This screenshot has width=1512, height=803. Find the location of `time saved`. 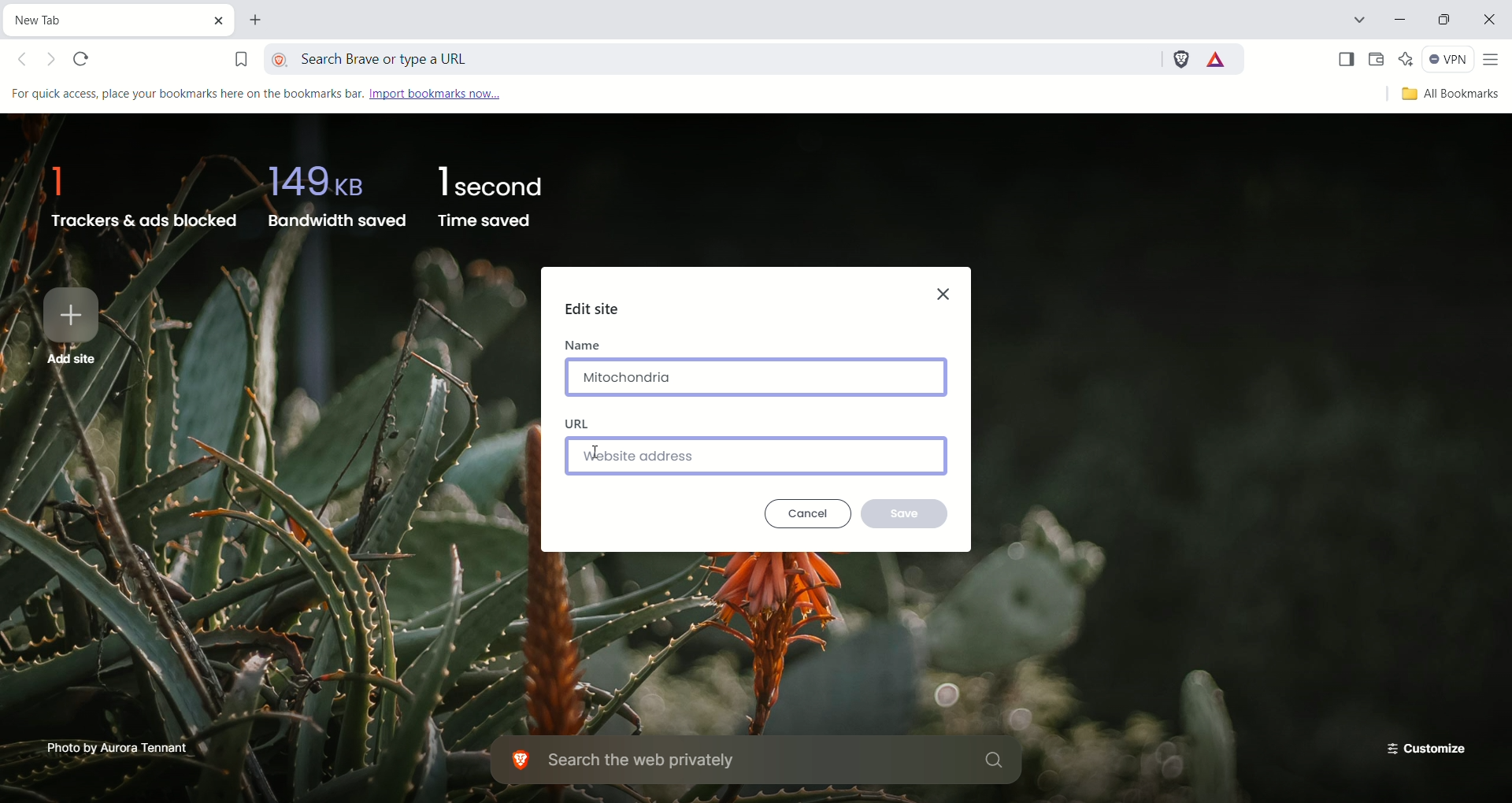

time saved is located at coordinates (494, 197).